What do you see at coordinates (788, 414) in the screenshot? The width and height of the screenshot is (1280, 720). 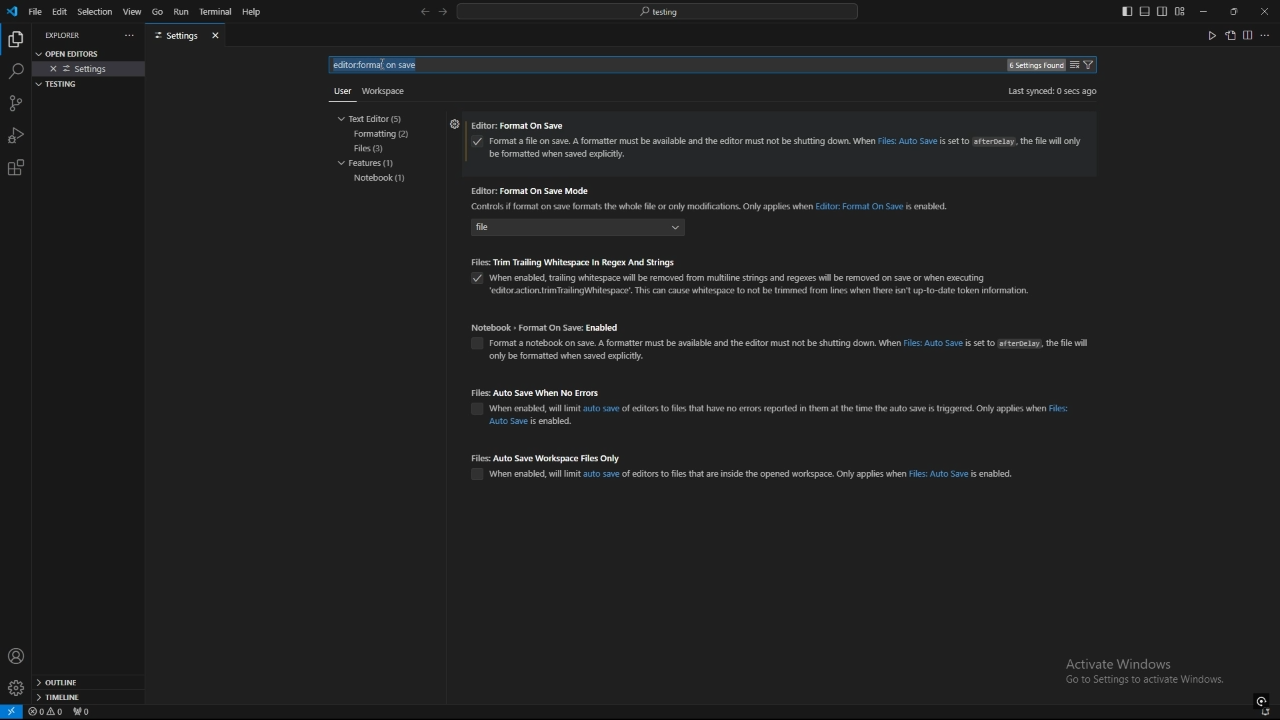 I see `files auto save when no errors information` at bounding box center [788, 414].